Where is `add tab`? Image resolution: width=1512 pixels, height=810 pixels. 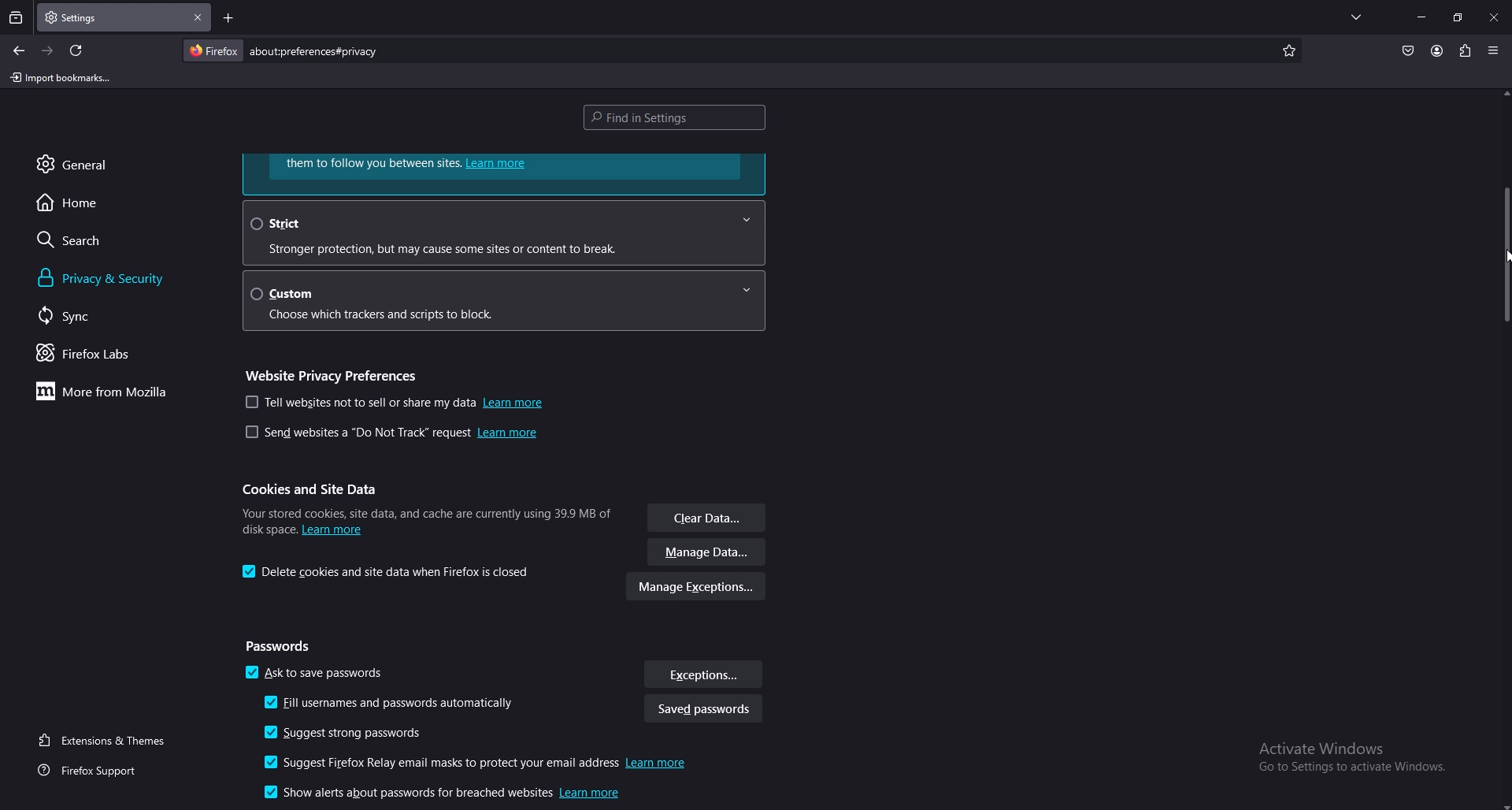
add tab is located at coordinates (227, 17).